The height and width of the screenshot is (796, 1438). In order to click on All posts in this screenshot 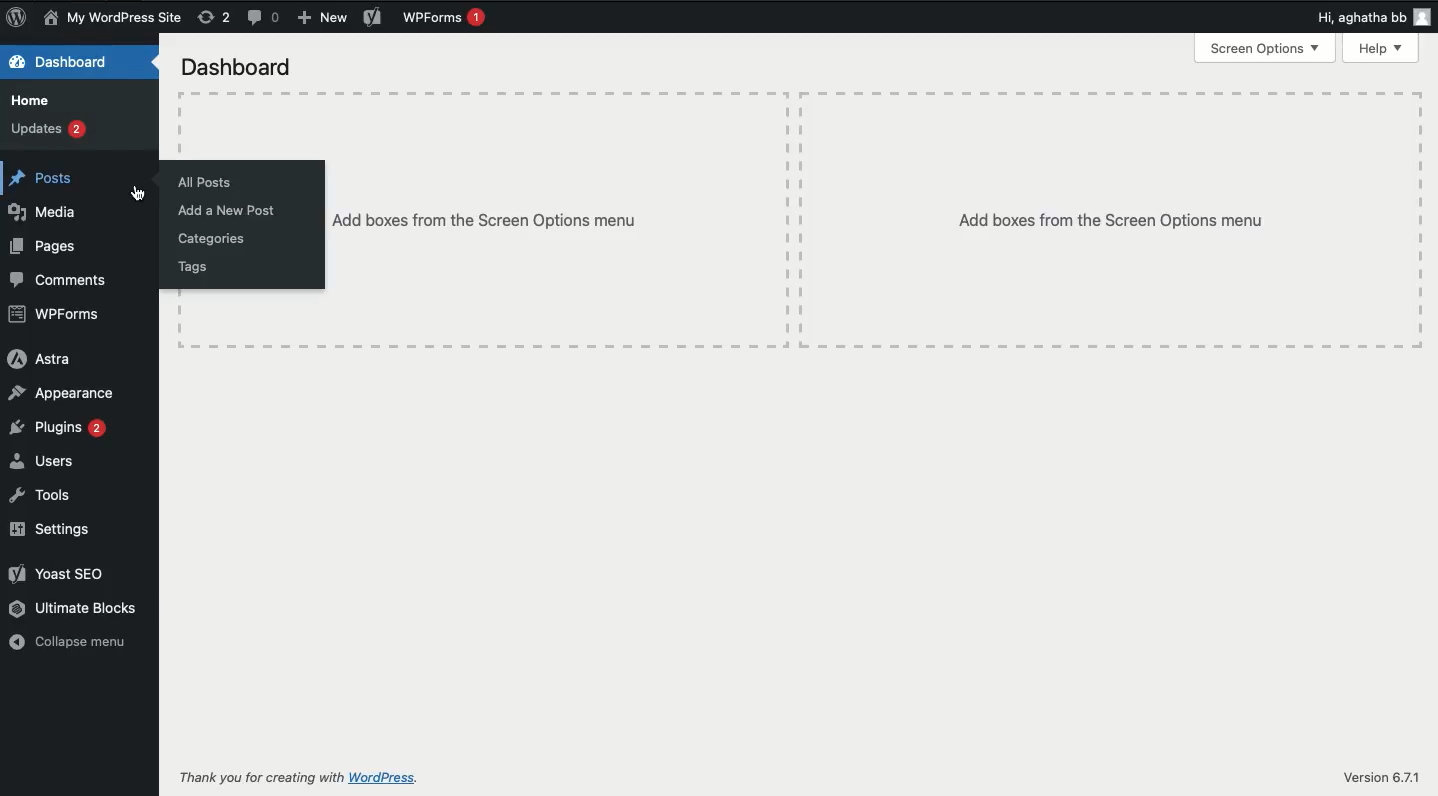, I will do `click(206, 183)`.